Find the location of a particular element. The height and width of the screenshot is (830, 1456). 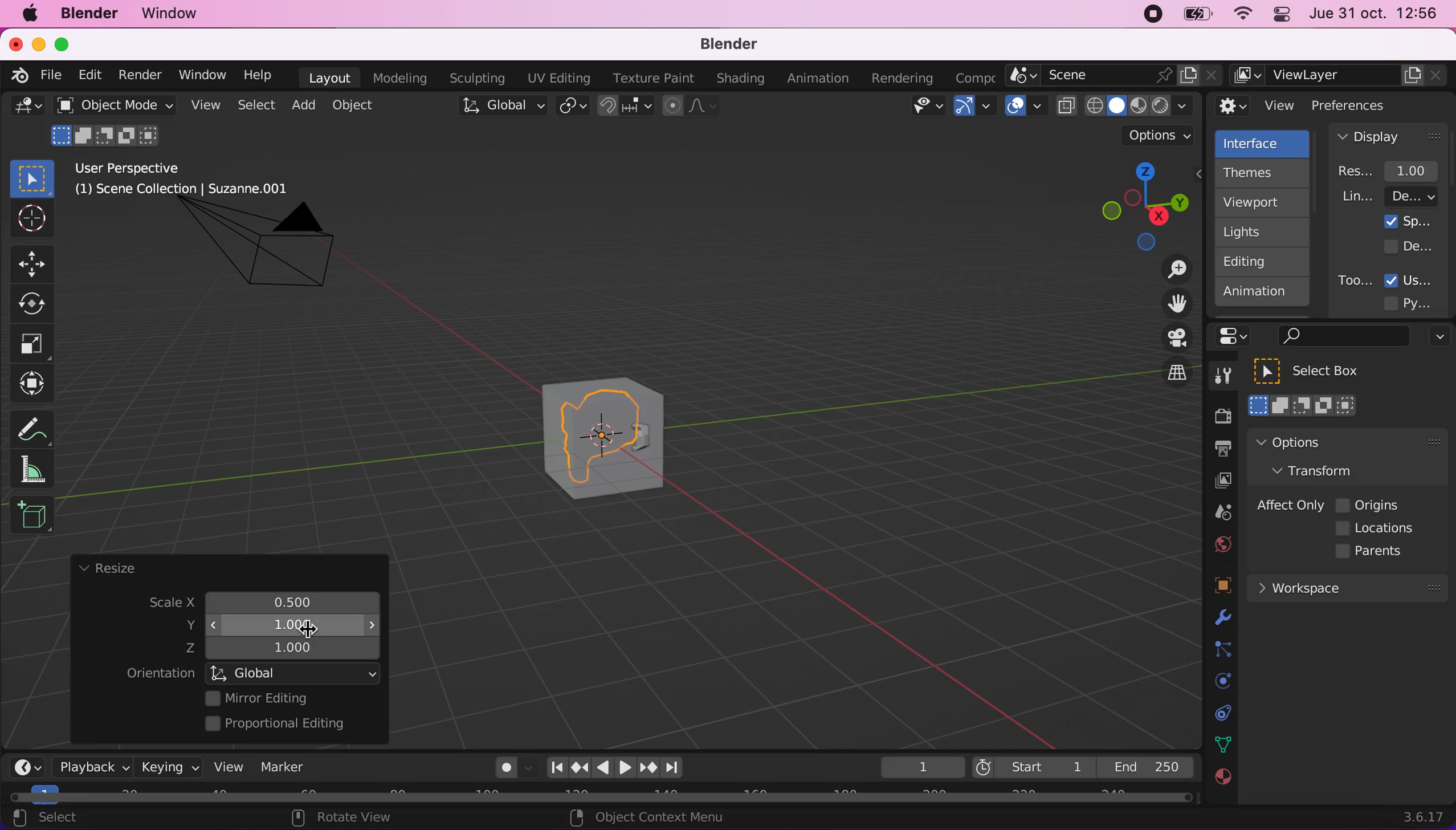

edit is located at coordinates (87, 75).